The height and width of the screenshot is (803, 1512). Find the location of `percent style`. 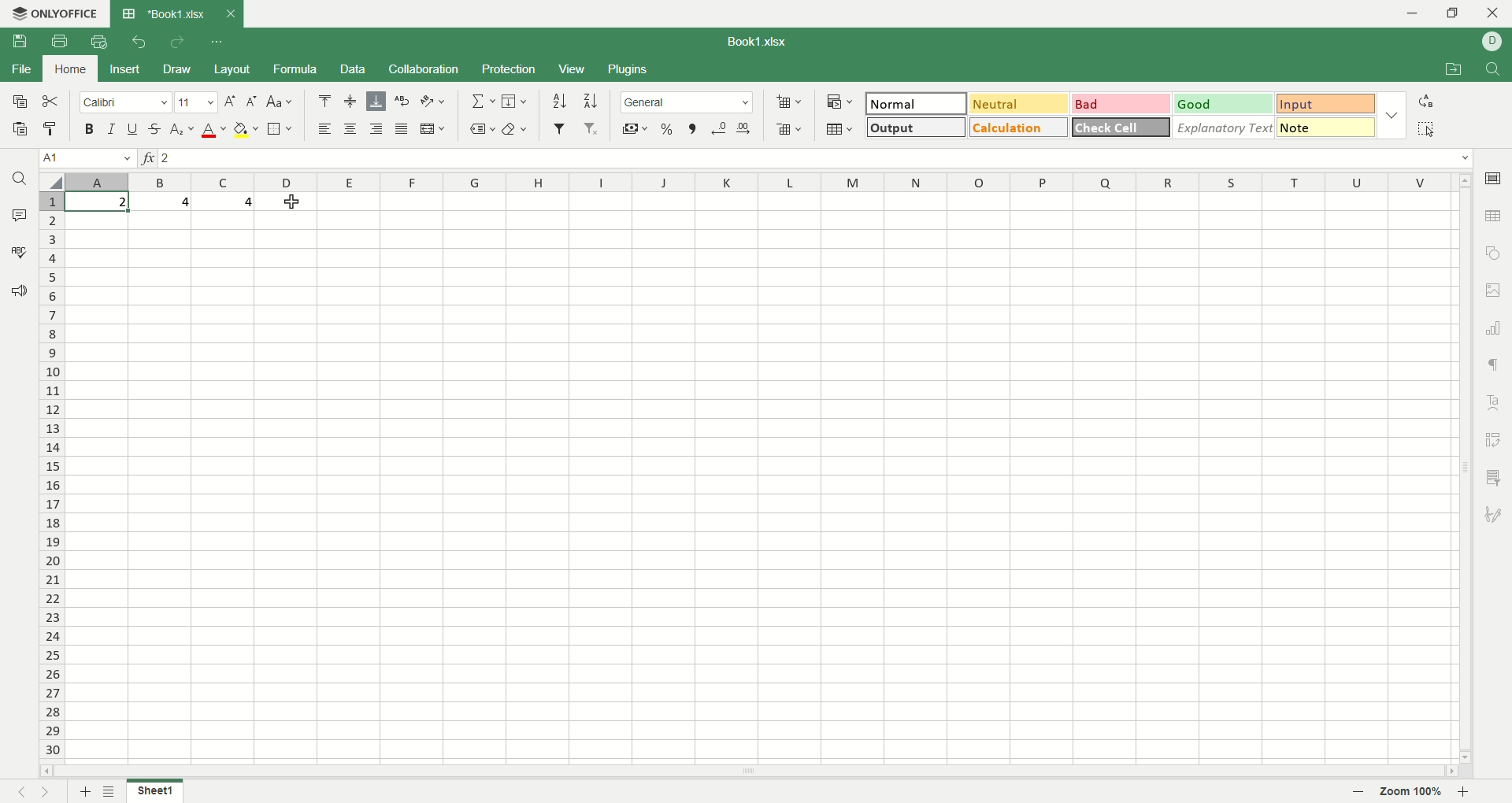

percent style is located at coordinates (669, 128).